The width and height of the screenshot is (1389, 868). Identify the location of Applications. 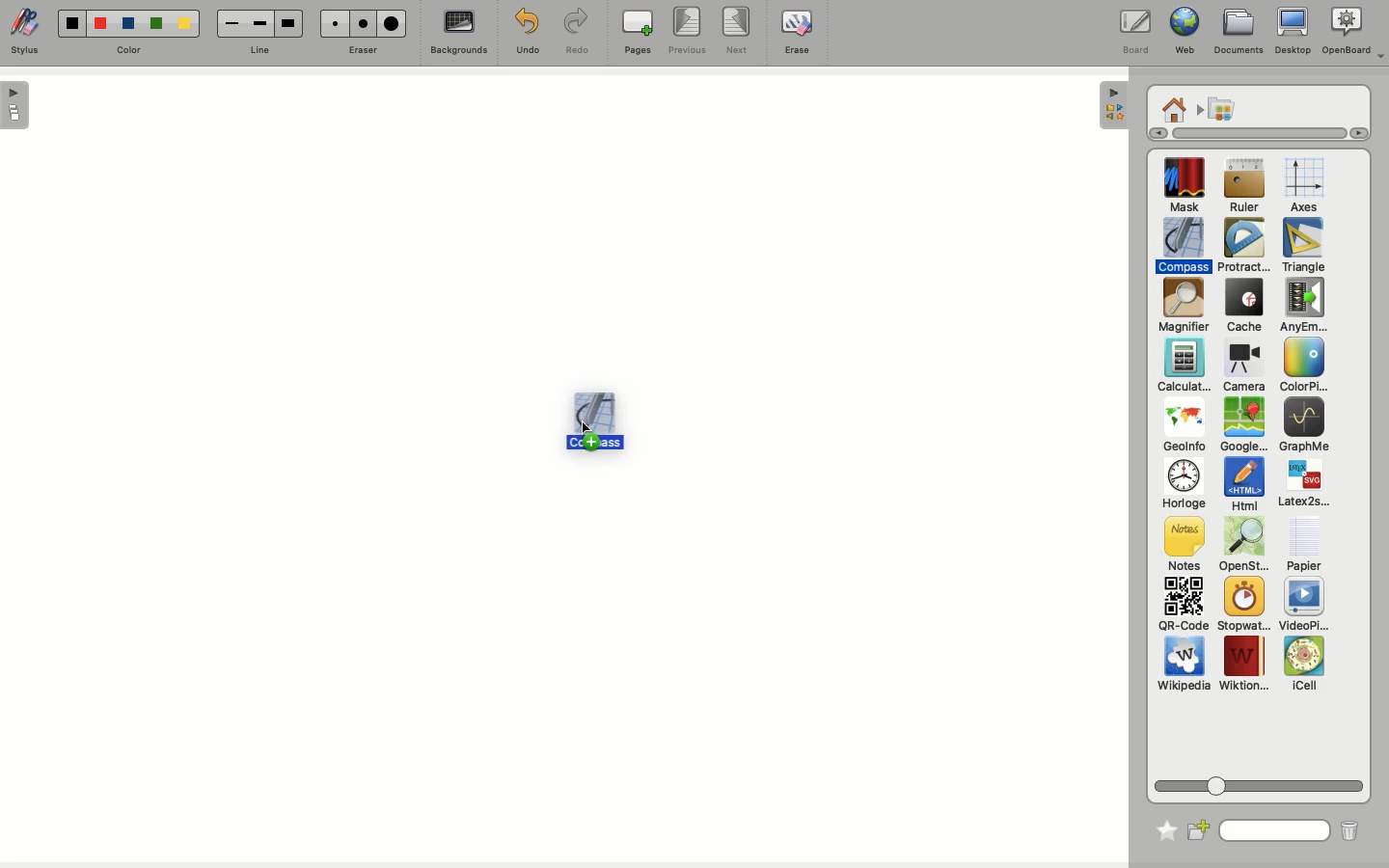
(1221, 110).